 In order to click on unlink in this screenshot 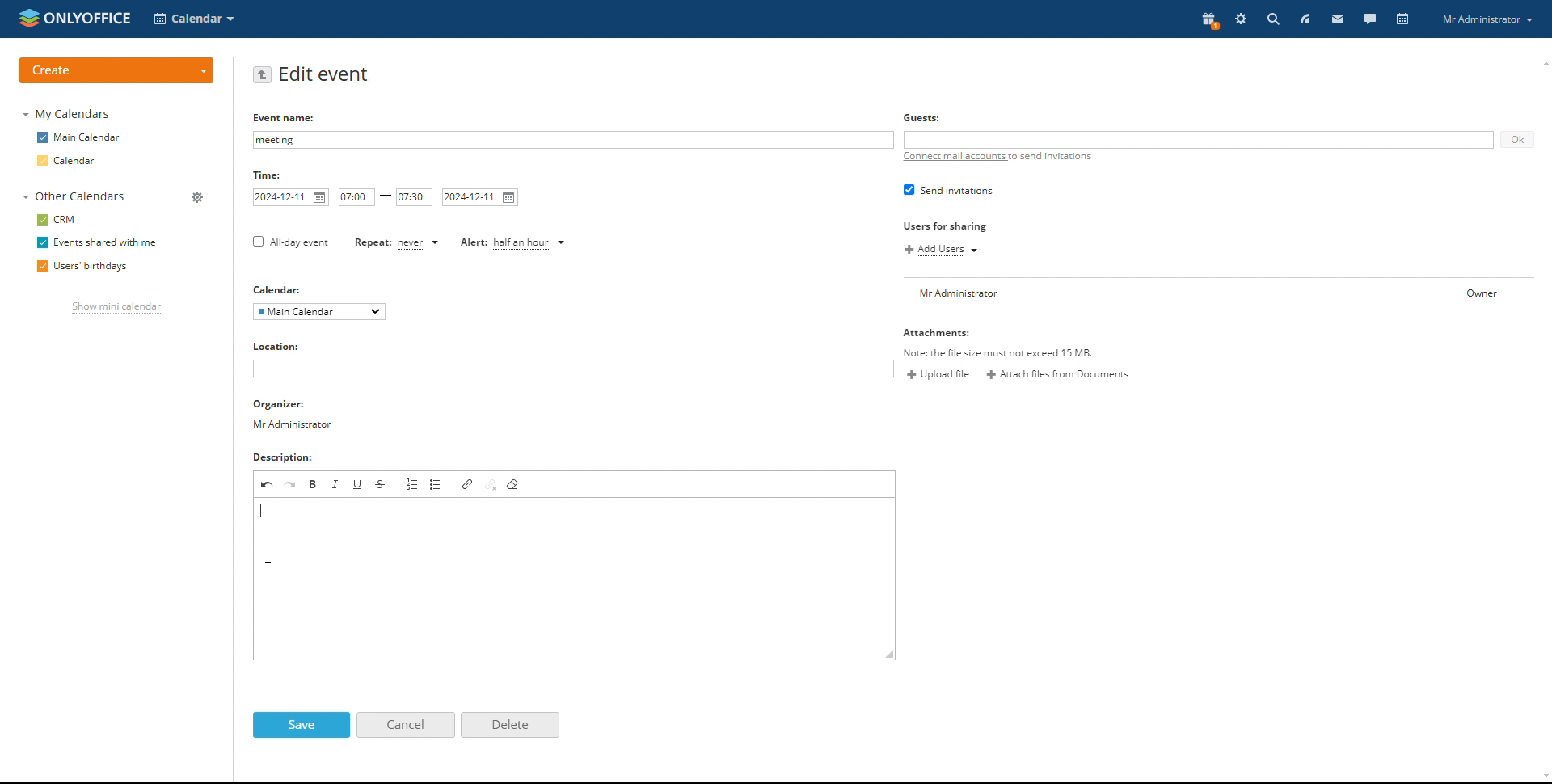, I will do `click(491, 484)`.